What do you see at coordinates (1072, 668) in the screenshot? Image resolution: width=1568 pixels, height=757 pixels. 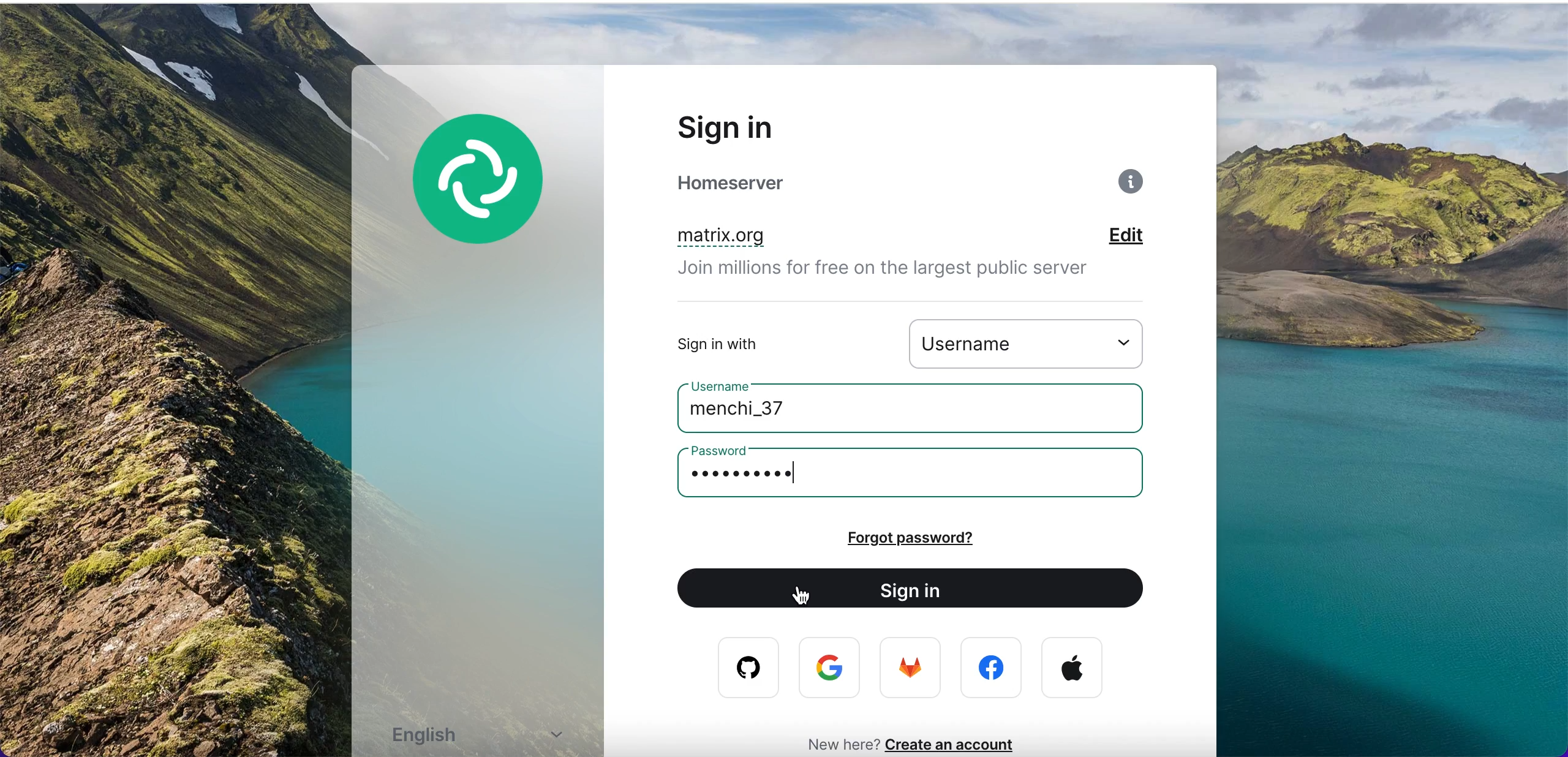 I see `apple logo` at bounding box center [1072, 668].